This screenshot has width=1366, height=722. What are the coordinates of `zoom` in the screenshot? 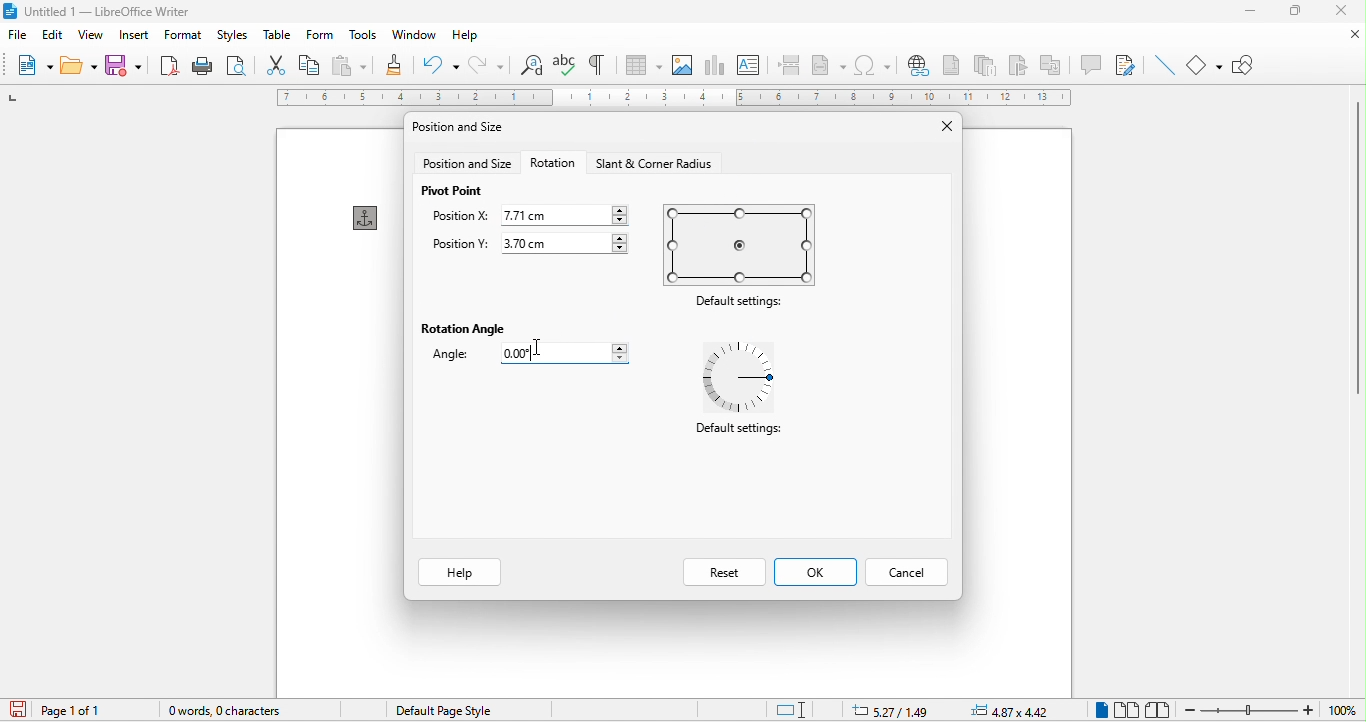 It's located at (1272, 709).